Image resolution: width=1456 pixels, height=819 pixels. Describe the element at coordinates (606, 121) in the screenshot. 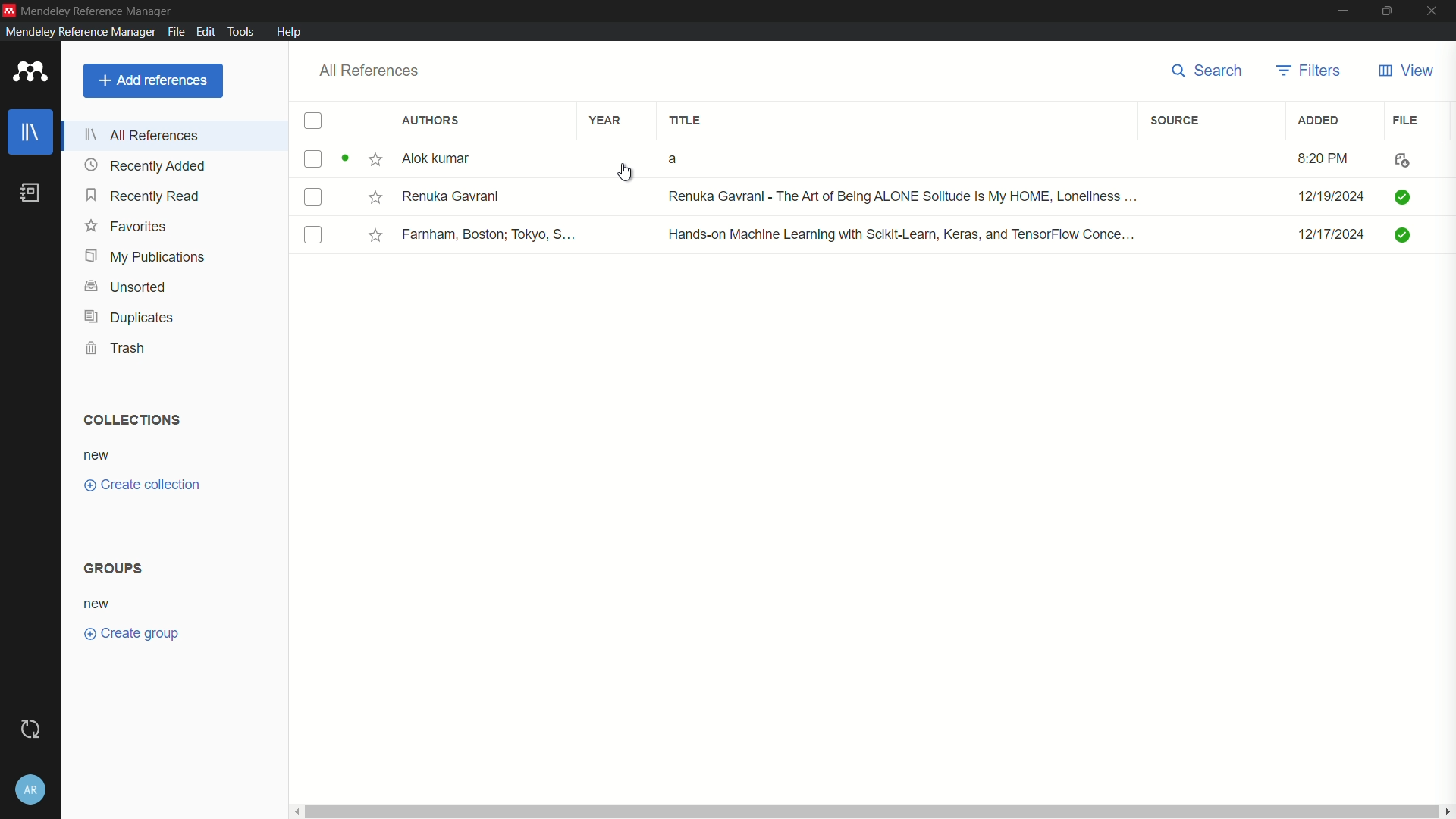

I see `year` at that location.